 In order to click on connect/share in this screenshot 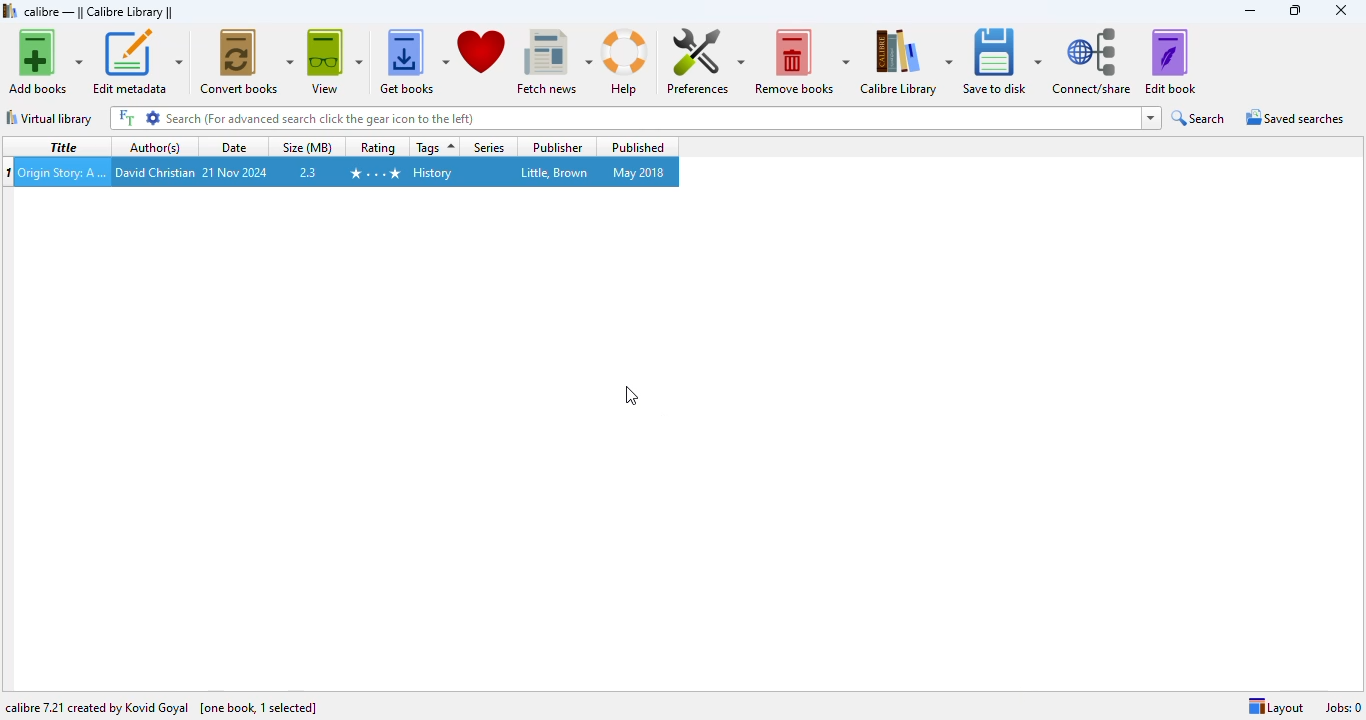, I will do `click(1094, 60)`.